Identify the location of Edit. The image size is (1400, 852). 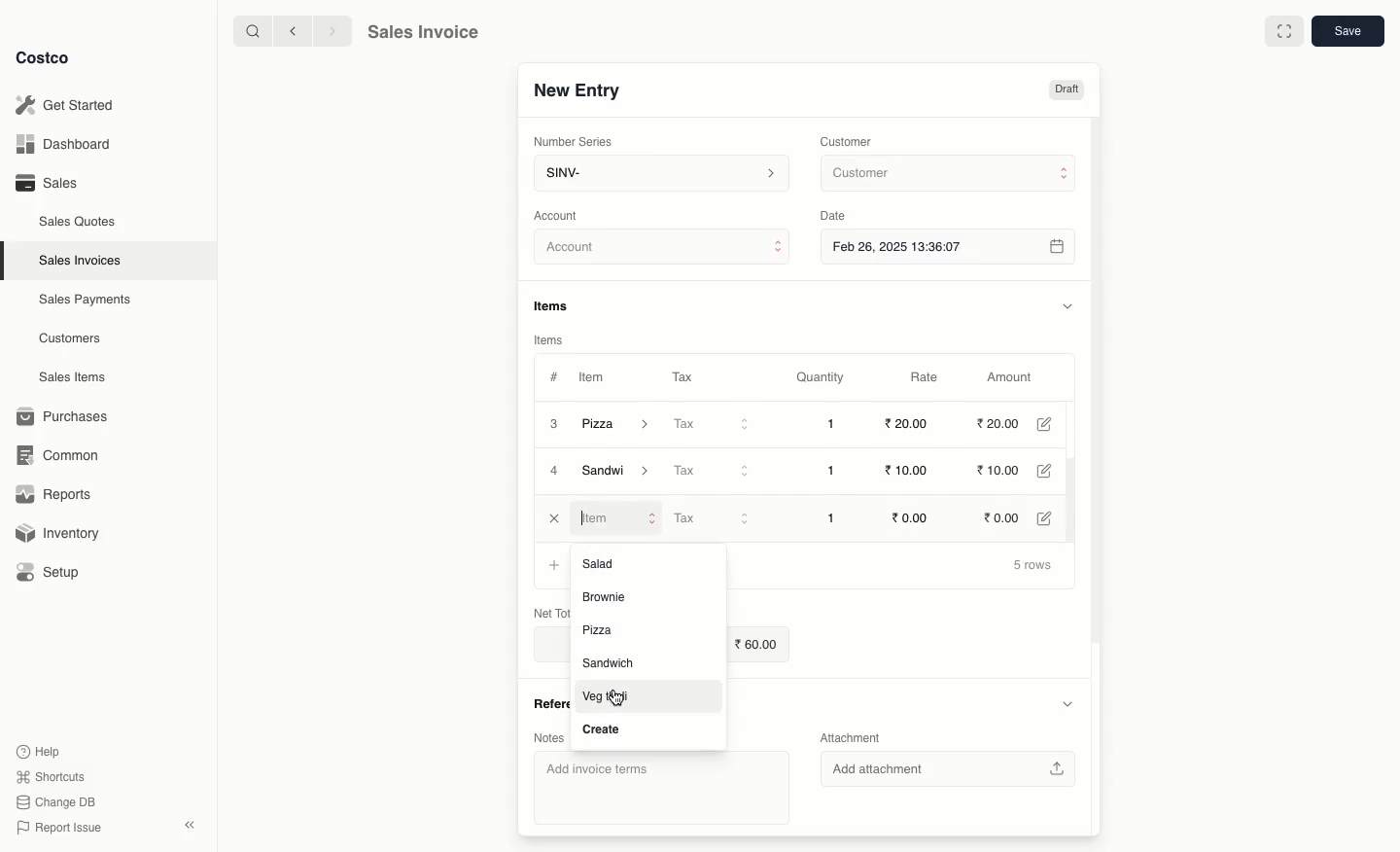
(1053, 517).